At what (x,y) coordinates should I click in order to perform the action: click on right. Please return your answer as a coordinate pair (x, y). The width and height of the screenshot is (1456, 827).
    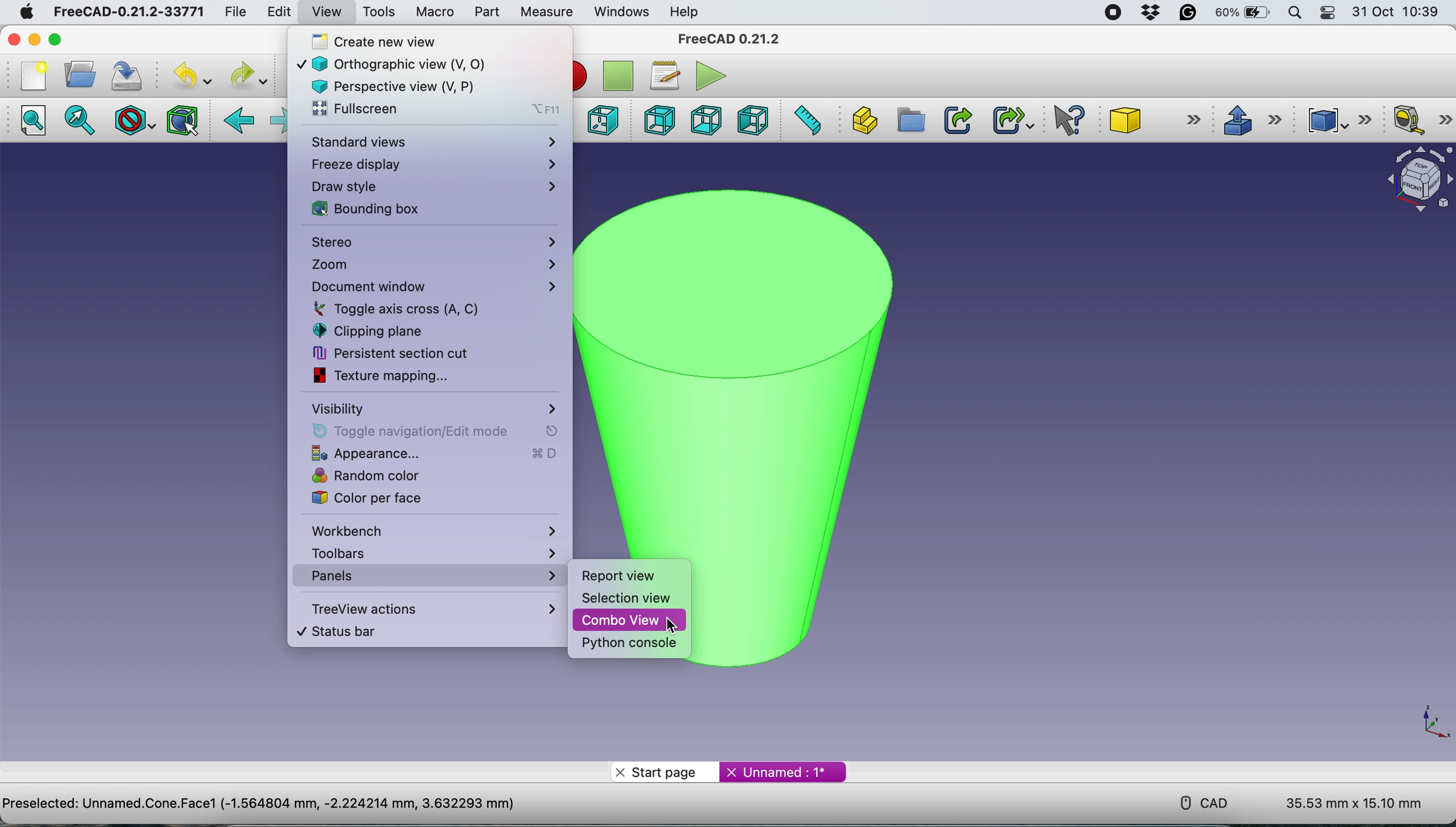
    Looking at the image, I should click on (602, 119).